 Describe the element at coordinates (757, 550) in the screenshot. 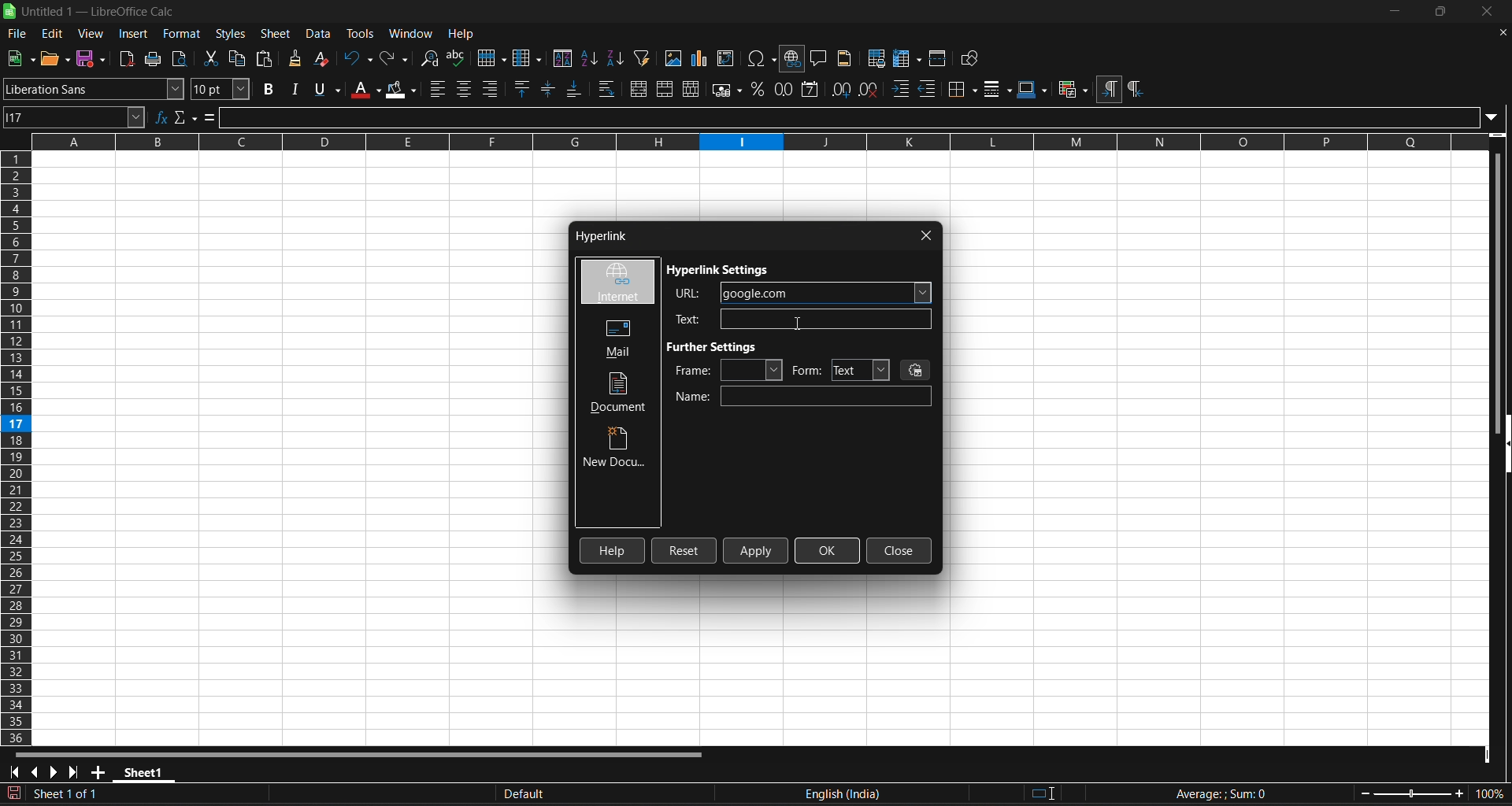

I see `apply` at that location.